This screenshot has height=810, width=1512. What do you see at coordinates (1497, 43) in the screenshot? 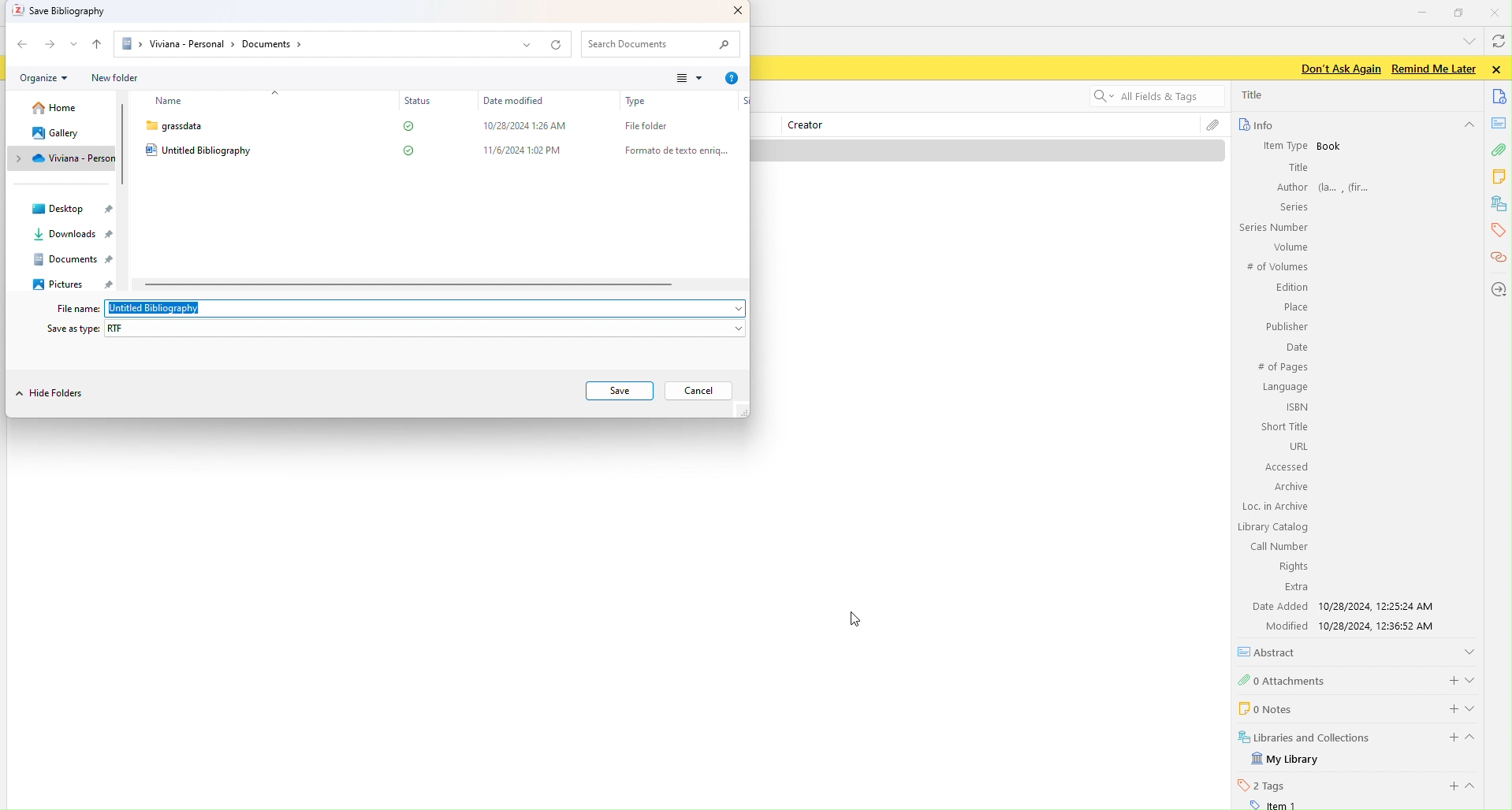
I see `refresh ` at bounding box center [1497, 43].